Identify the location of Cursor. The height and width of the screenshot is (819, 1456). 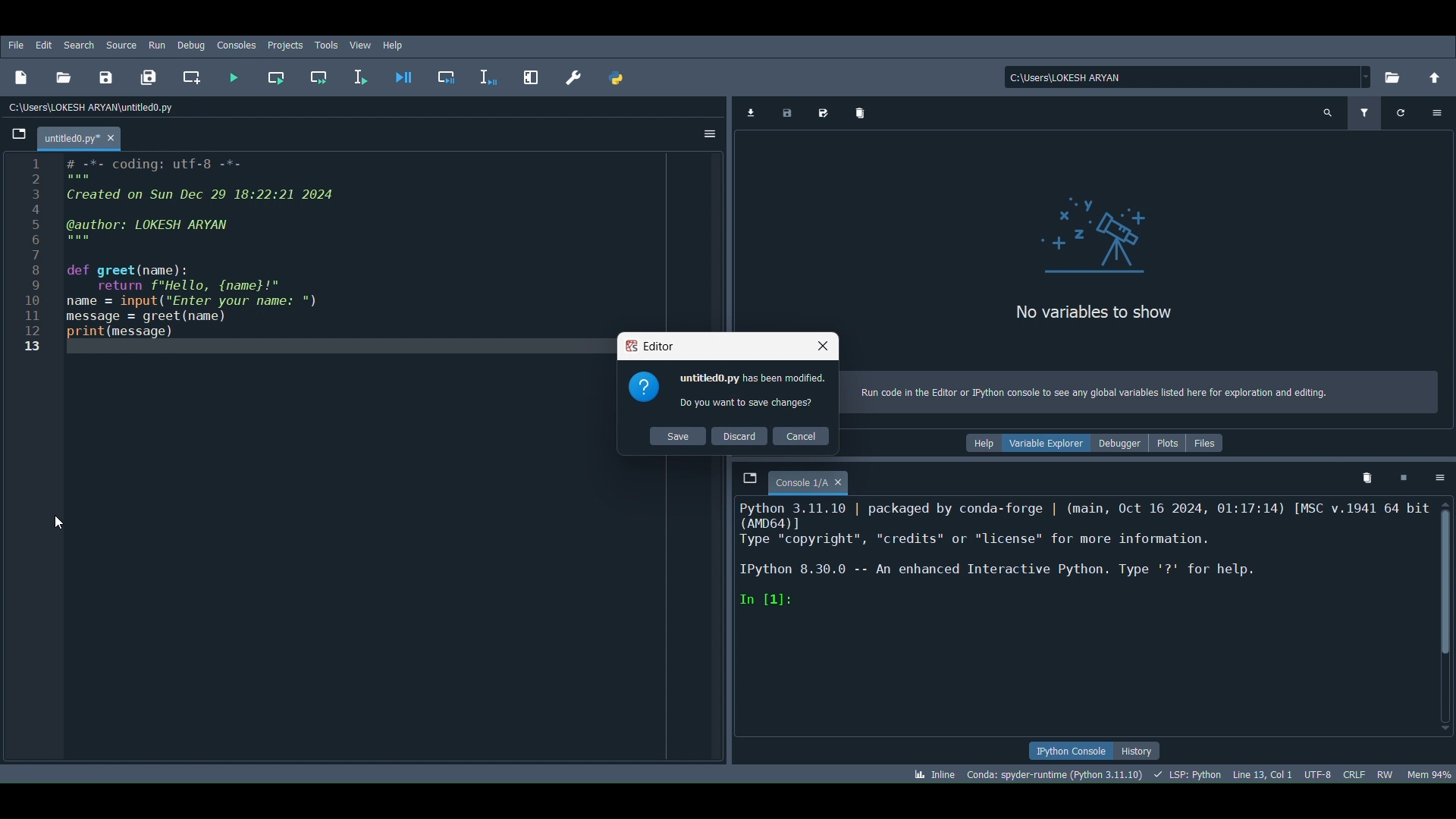
(63, 525).